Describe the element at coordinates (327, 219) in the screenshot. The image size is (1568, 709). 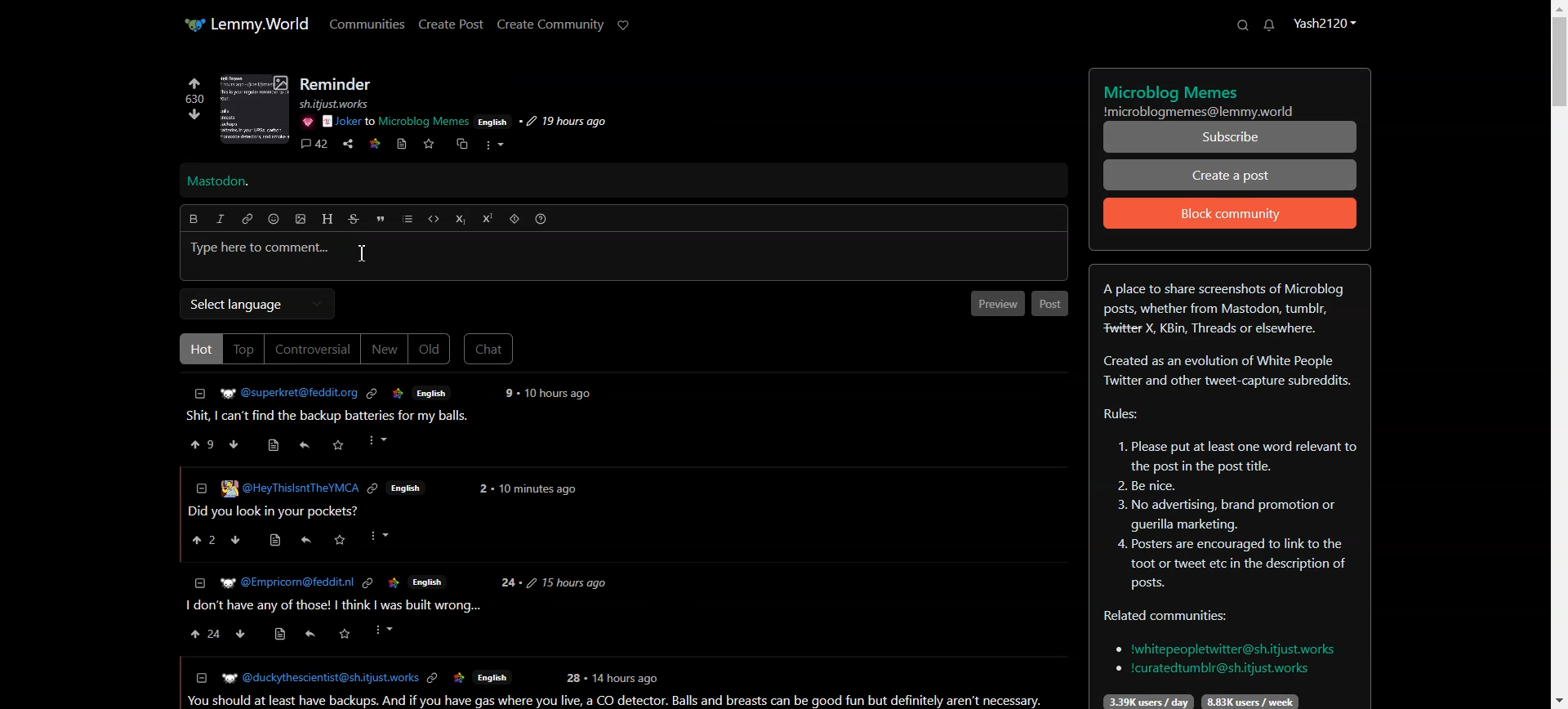
I see `Header` at that location.